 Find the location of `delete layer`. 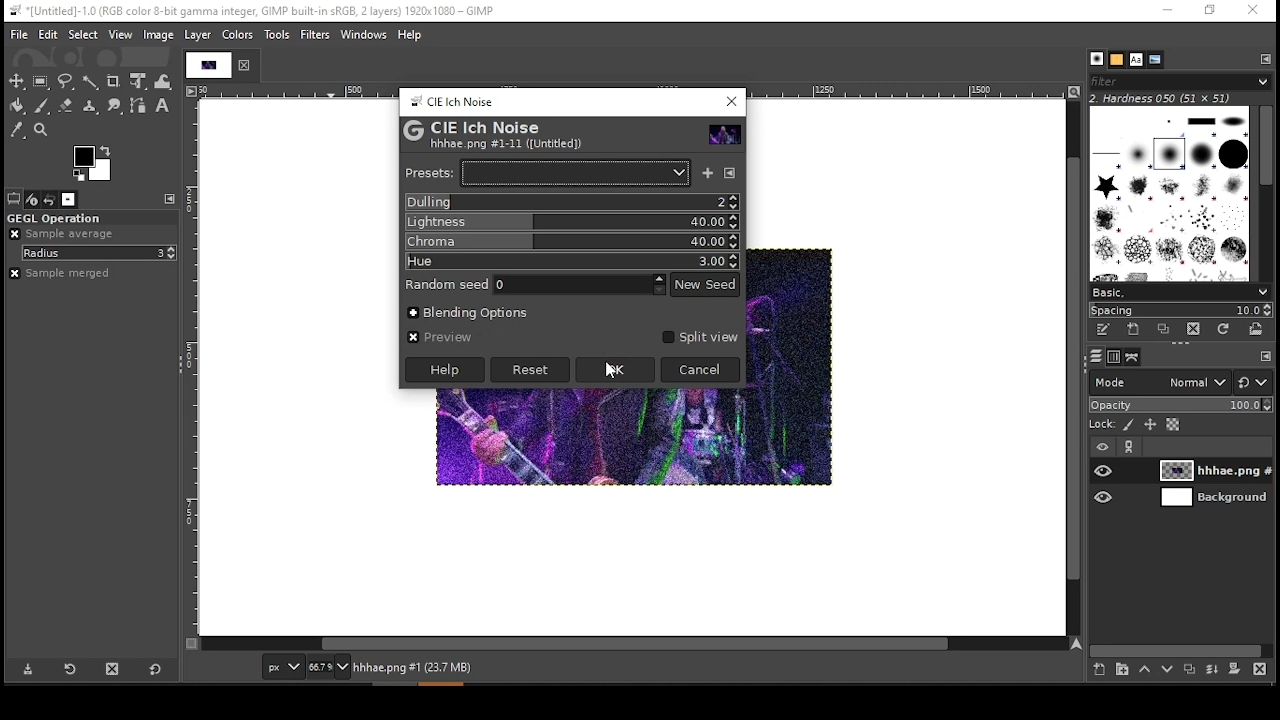

delete layer is located at coordinates (1263, 670).